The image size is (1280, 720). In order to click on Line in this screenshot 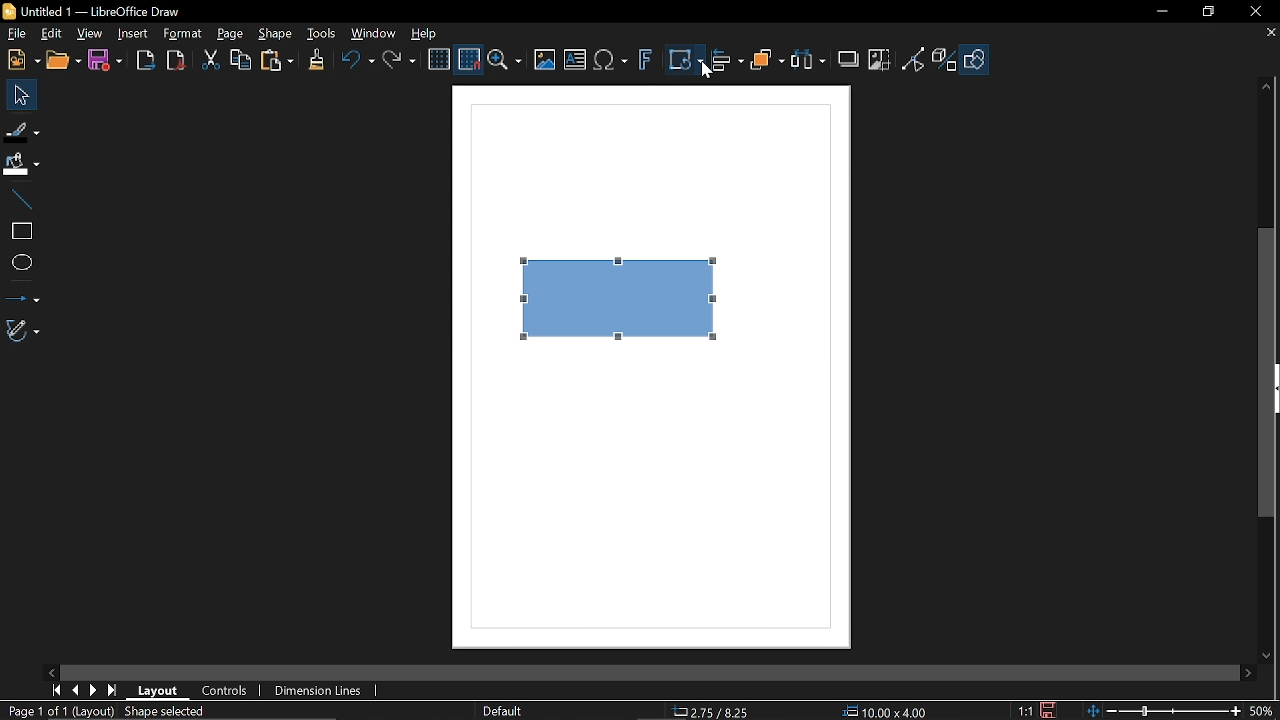, I will do `click(18, 200)`.